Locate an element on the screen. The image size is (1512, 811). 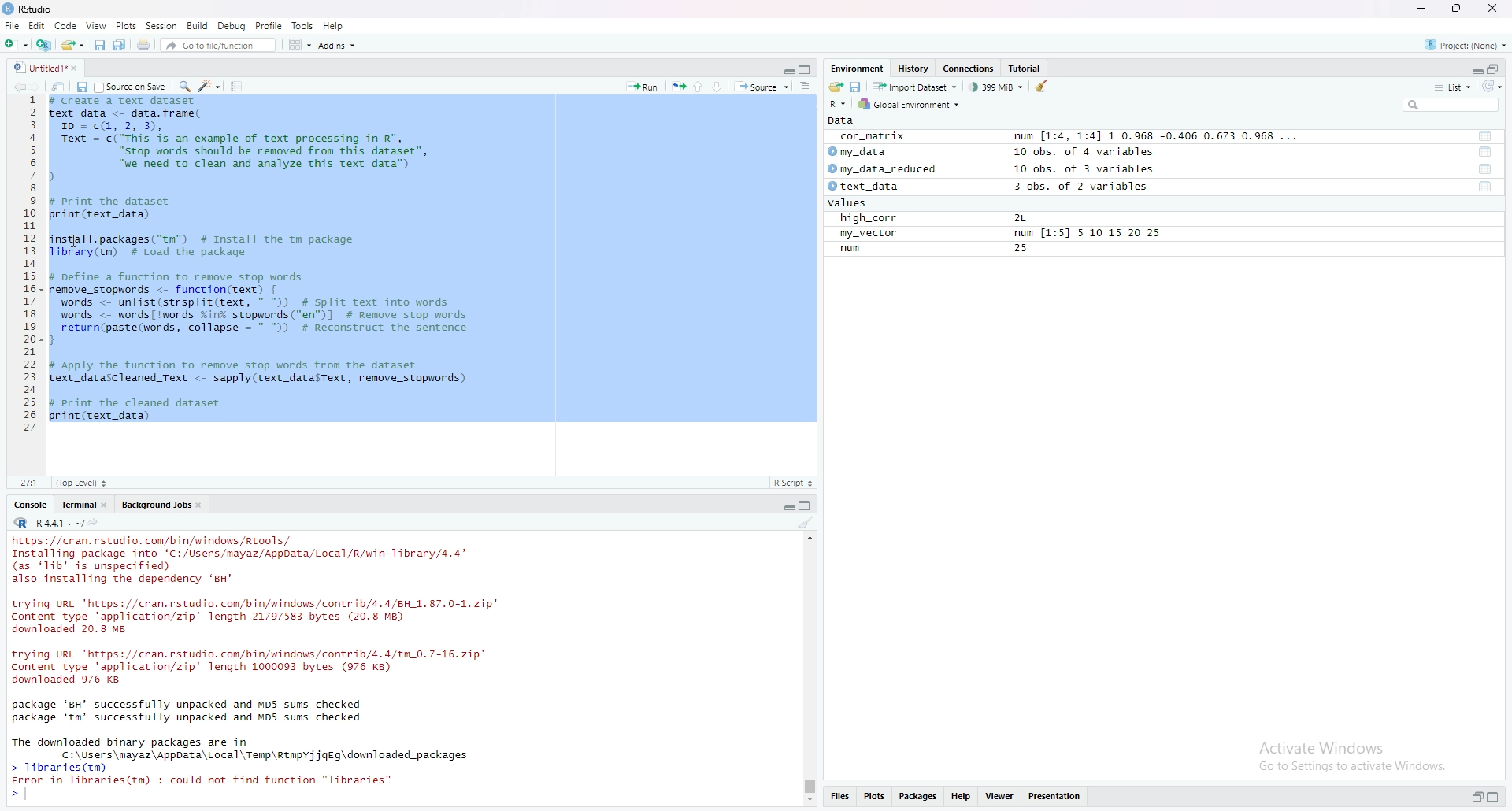
list is located at coordinates (1456, 87).